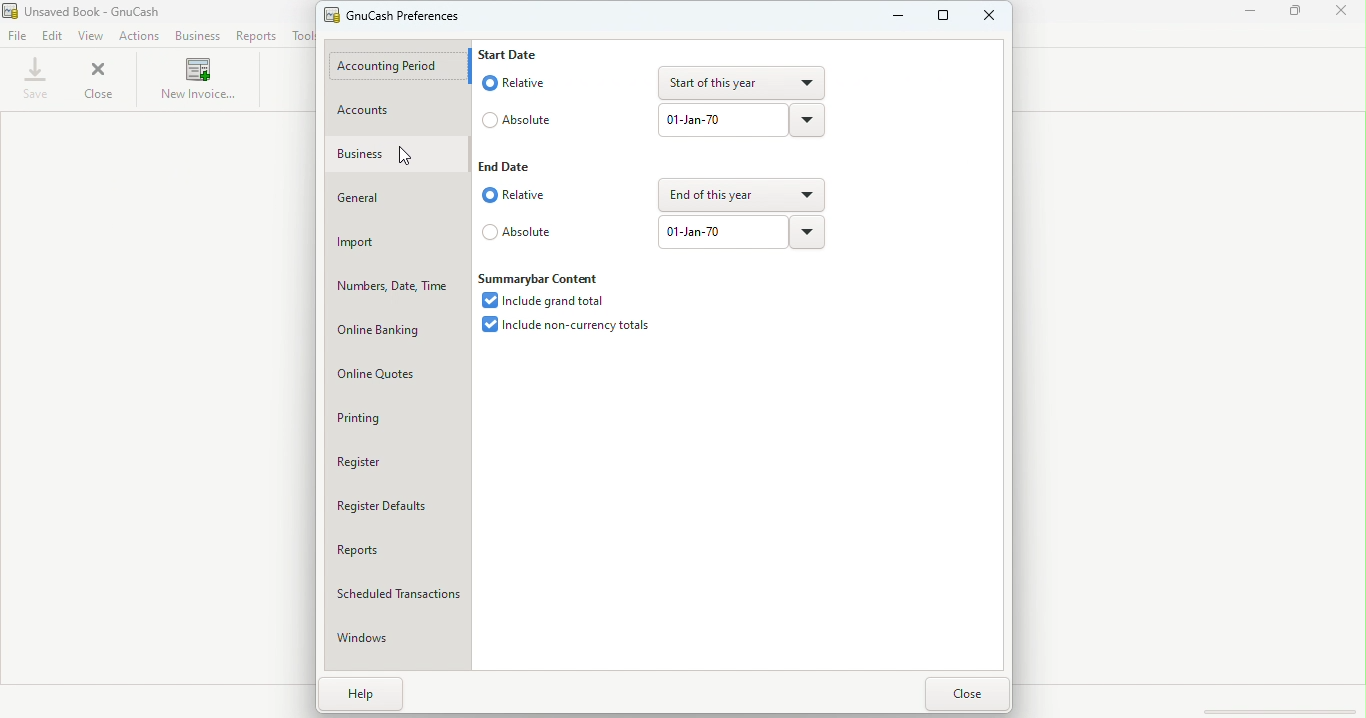 This screenshot has height=718, width=1366. What do you see at coordinates (399, 200) in the screenshot?
I see `General` at bounding box center [399, 200].